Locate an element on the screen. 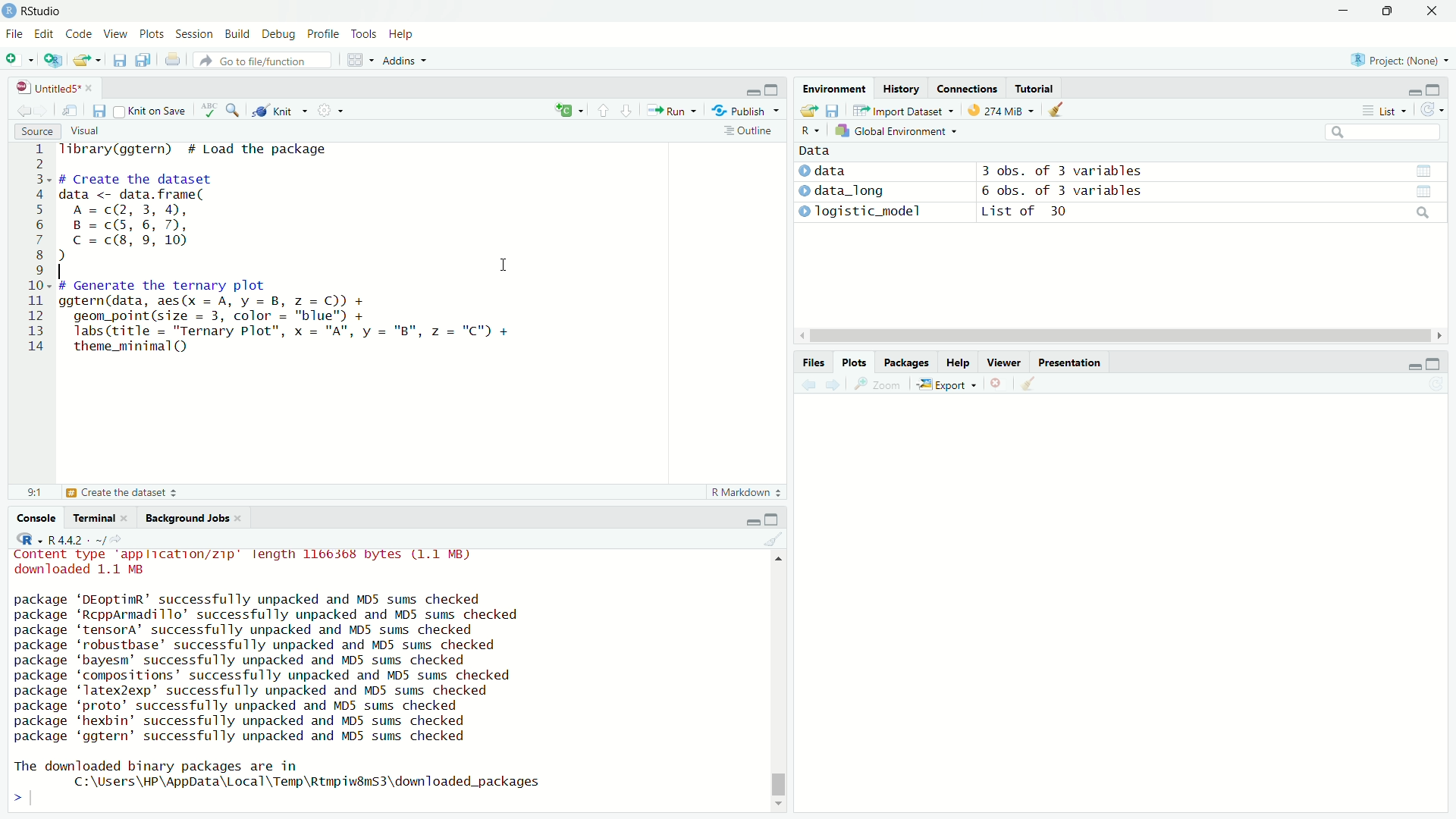  downward is located at coordinates (629, 111).